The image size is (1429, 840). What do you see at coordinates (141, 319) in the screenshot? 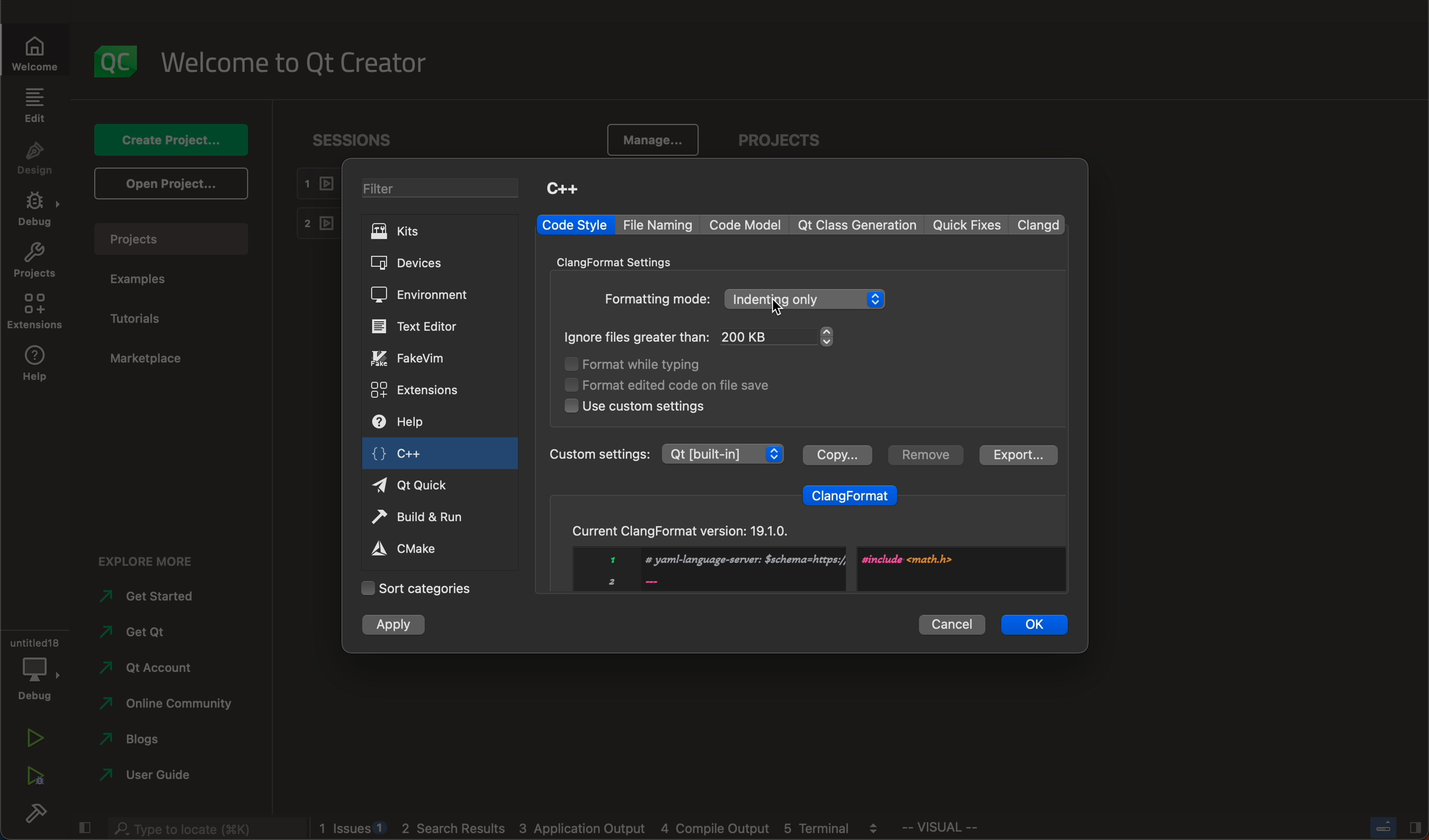
I see `tutorials` at bounding box center [141, 319].